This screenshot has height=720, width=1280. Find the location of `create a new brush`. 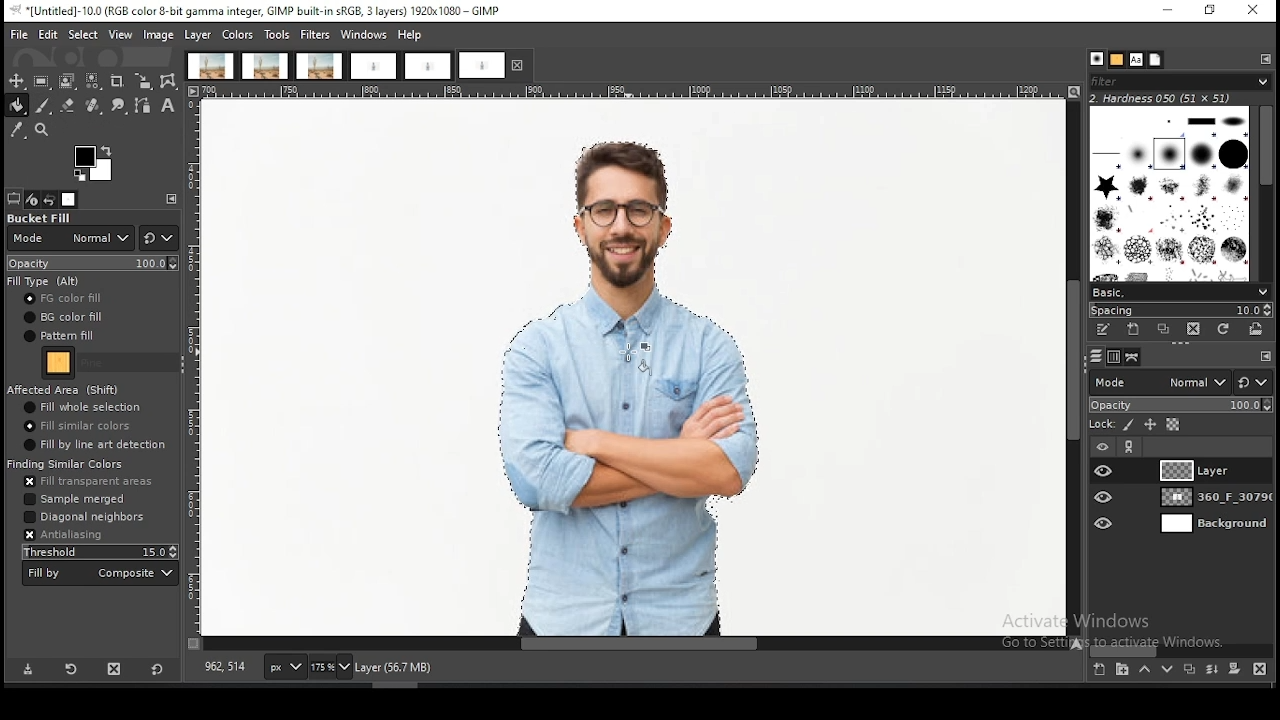

create a new brush is located at coordinates (1134, 330).